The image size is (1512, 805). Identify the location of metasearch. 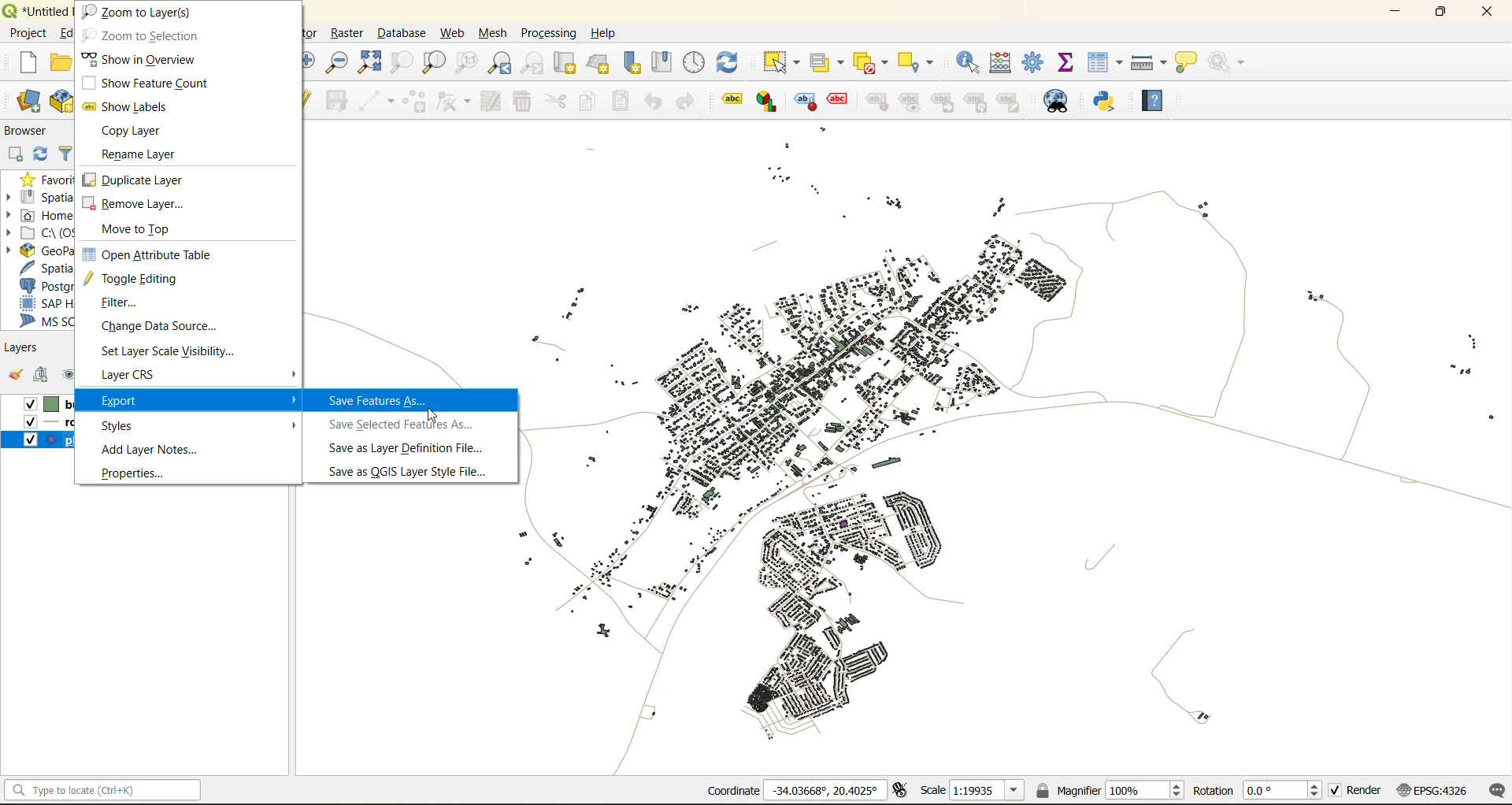
(1058, 102).